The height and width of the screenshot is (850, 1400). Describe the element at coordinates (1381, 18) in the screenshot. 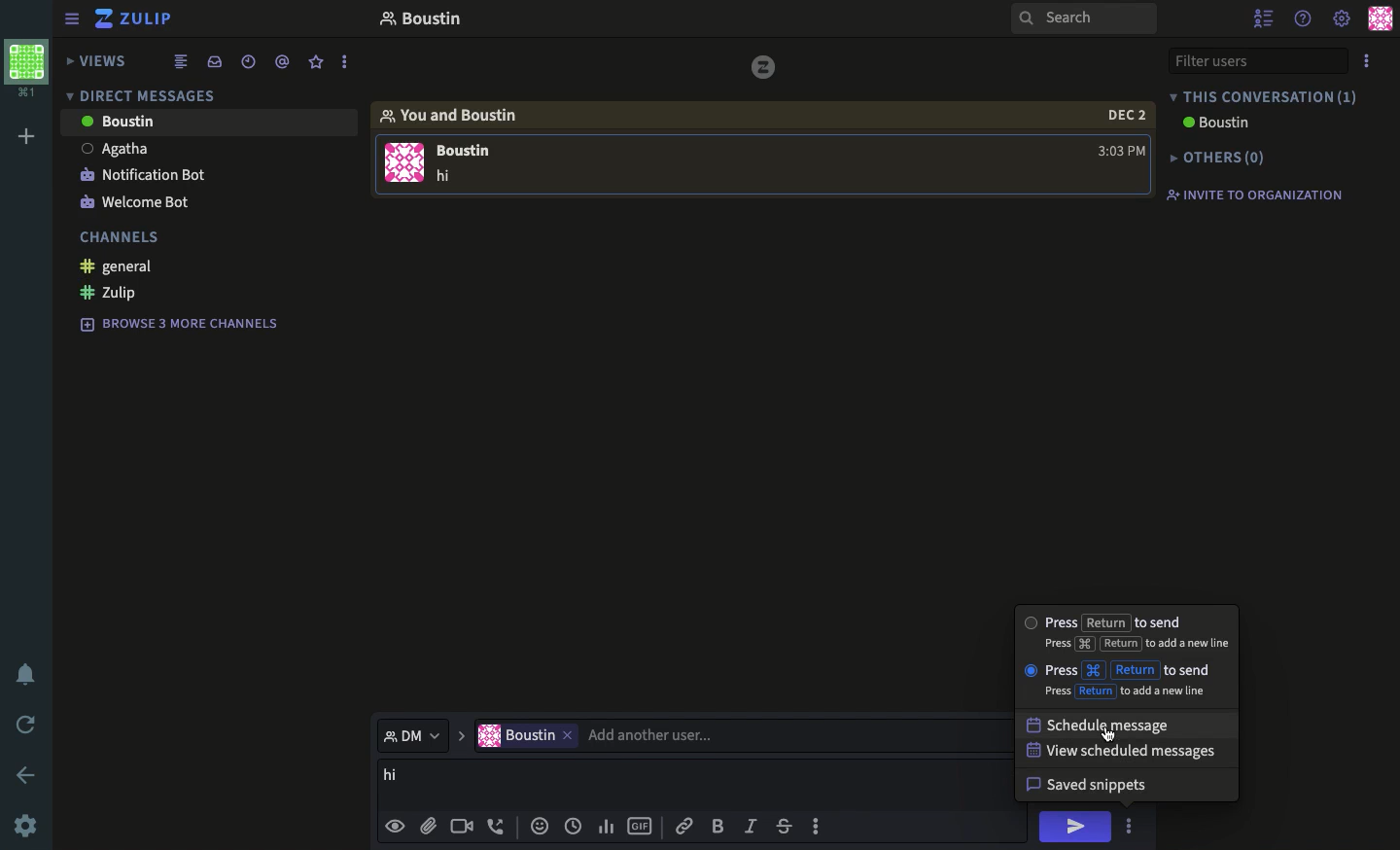

I see `user profile` at that location.